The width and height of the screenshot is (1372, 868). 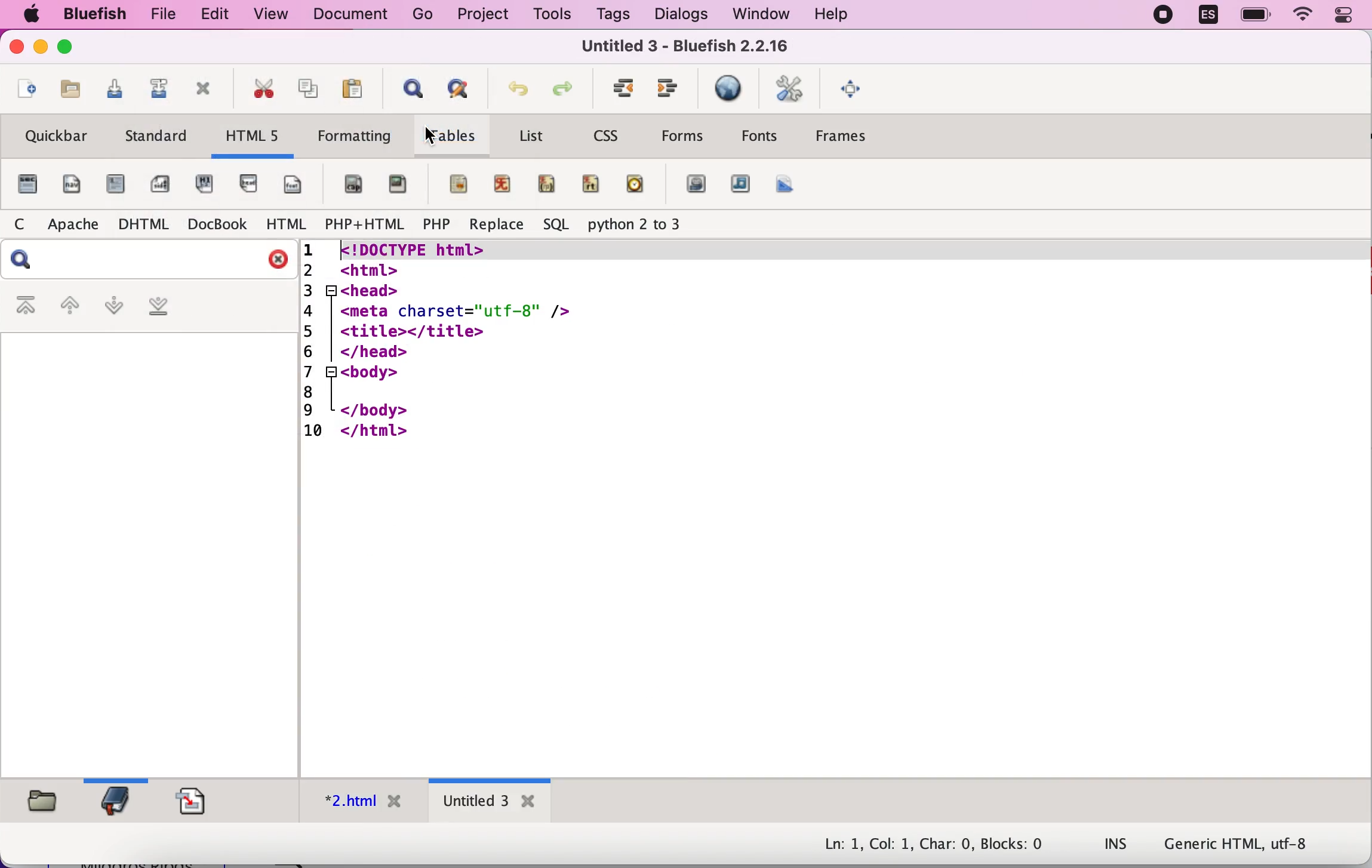 What do you see at coordinates (549, 14) in the screenshot?
I see `tools` at bounding box center [549, 14].